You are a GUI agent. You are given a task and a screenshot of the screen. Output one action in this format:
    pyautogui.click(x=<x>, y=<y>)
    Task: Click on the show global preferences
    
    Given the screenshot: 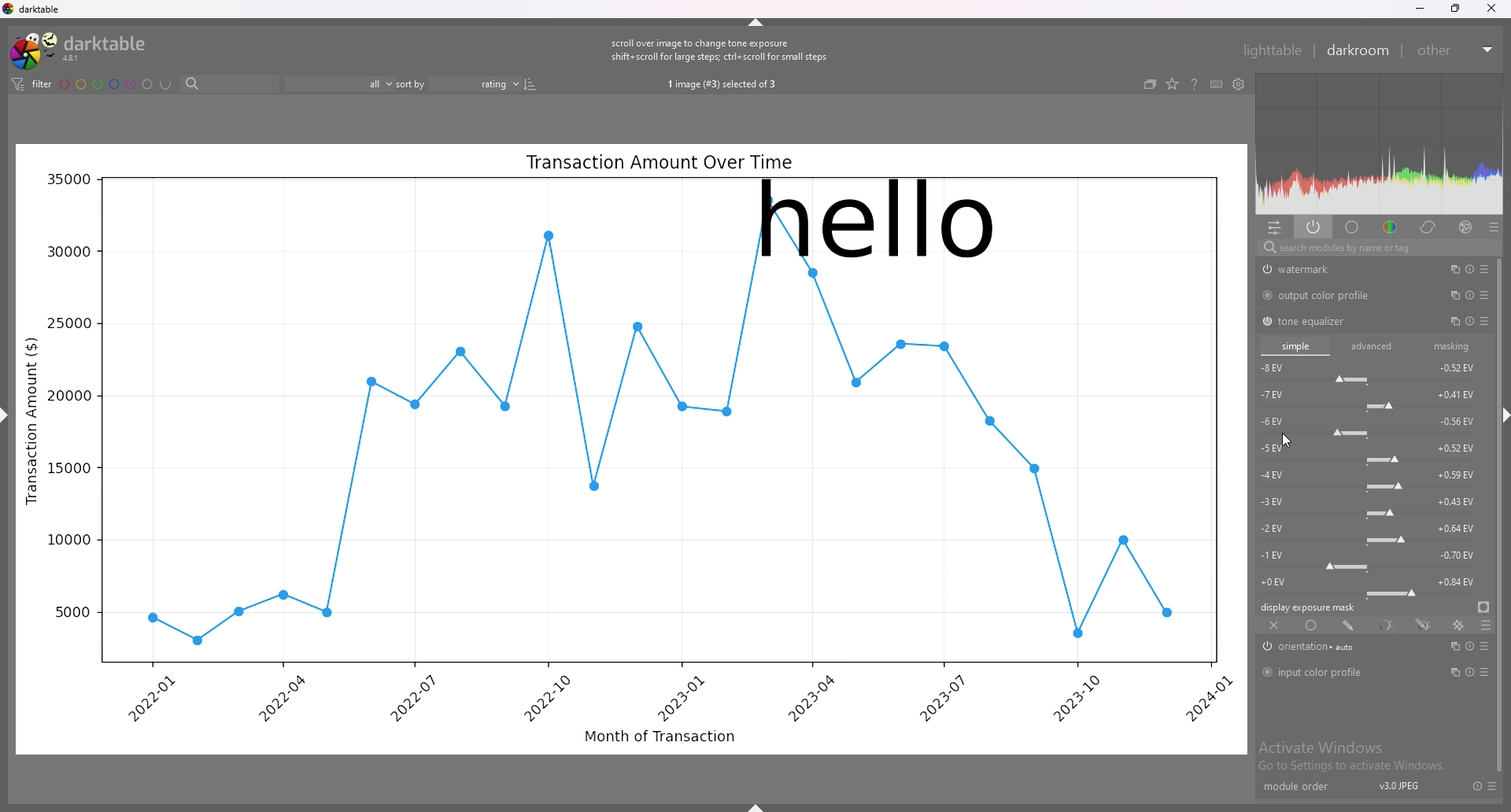 What is the action you would take?
    pyautogui.click(x=1239, y=83)
    